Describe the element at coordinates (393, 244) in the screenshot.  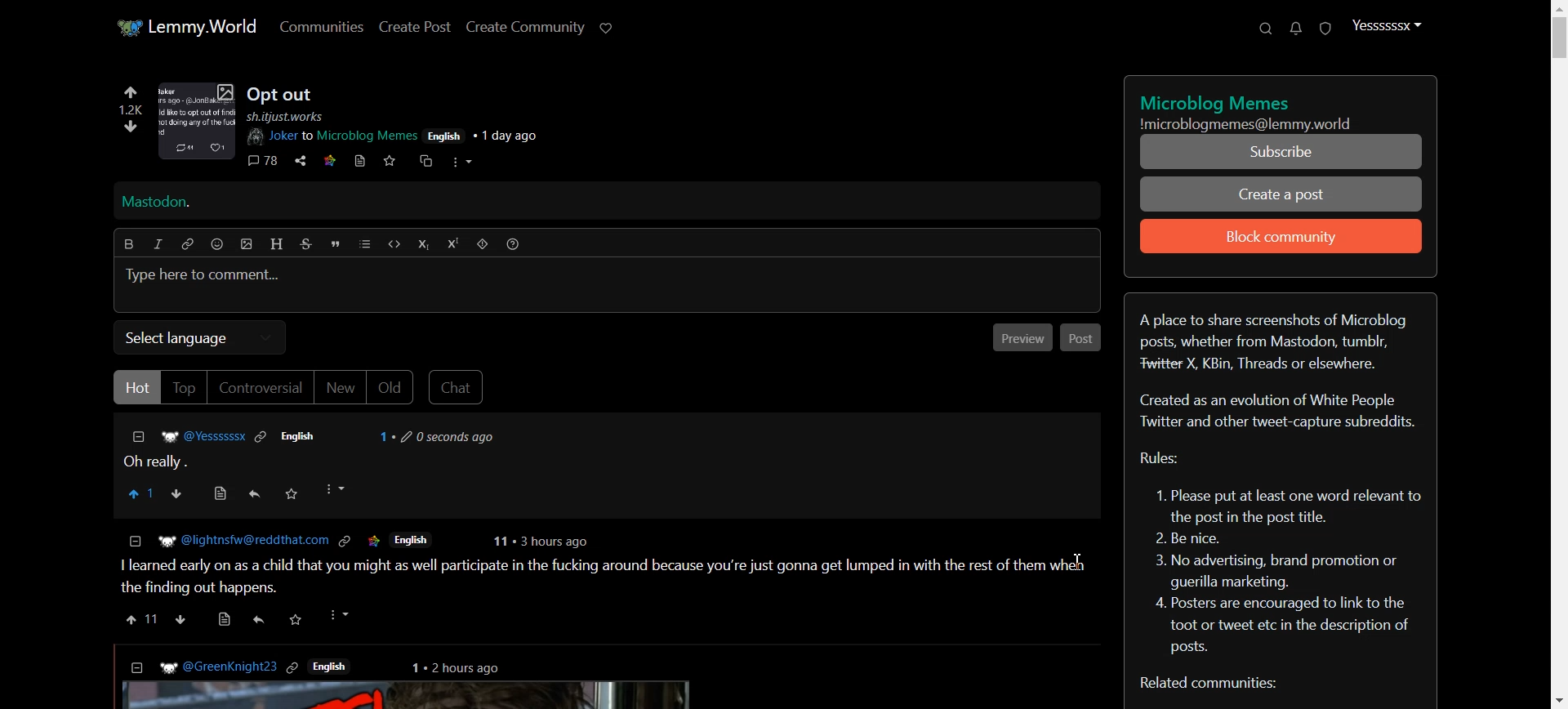
I see `Code` at that location.